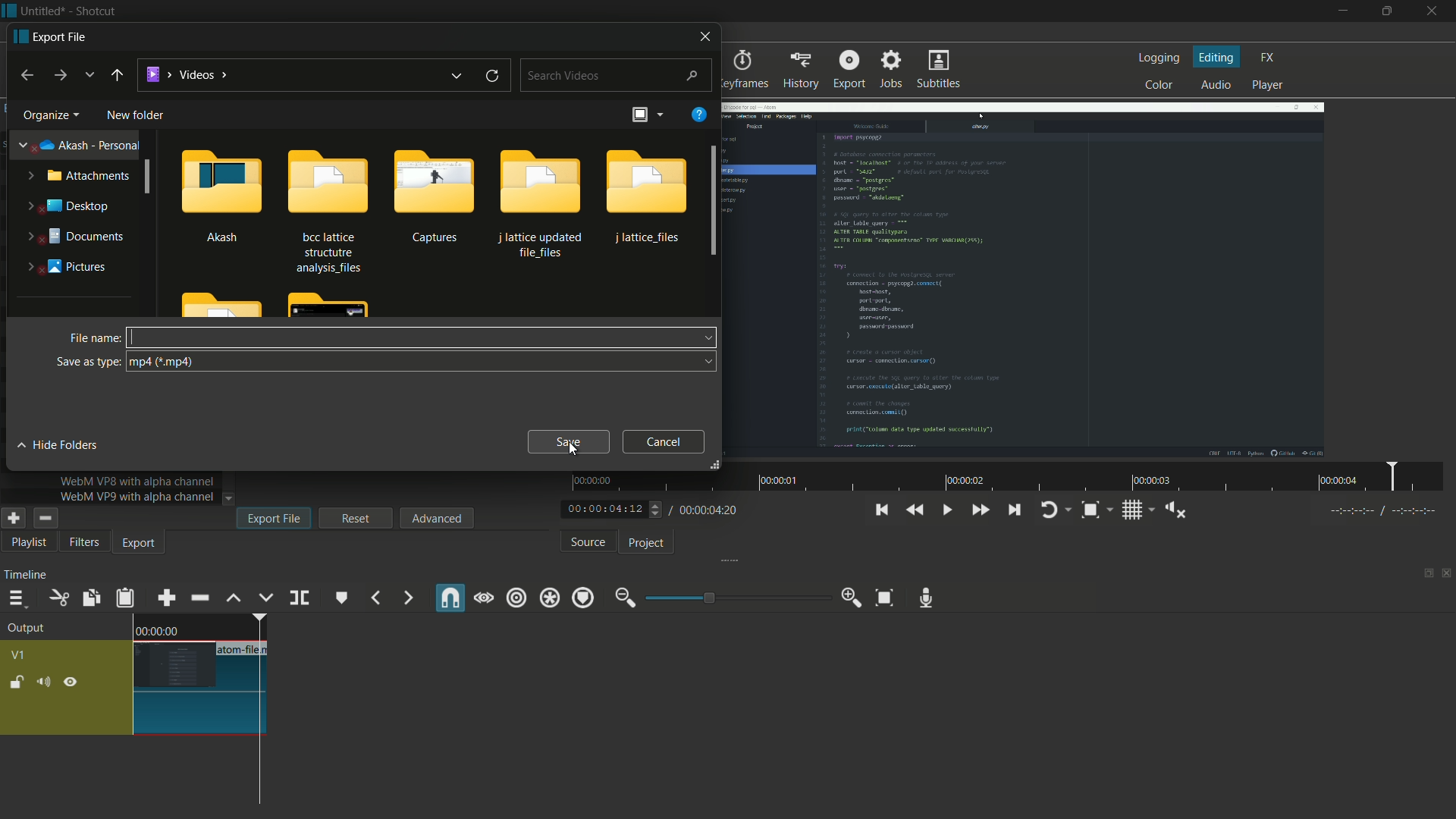 Image resolution: width=1456 pixels, height=819 pixels. I want to click on player, so click(1268, 85).